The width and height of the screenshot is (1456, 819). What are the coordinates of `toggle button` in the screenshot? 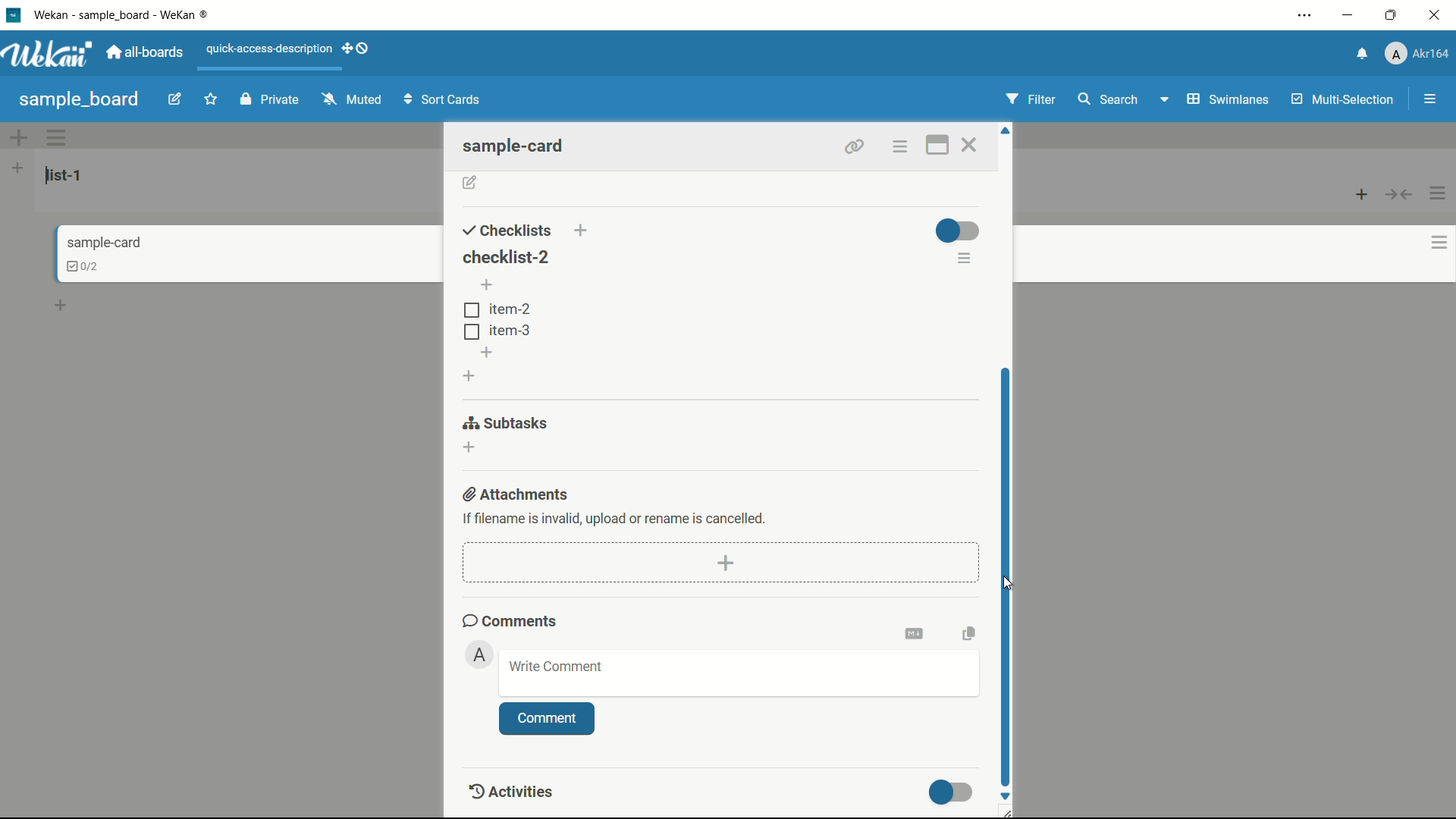 It's located at (952, 792).